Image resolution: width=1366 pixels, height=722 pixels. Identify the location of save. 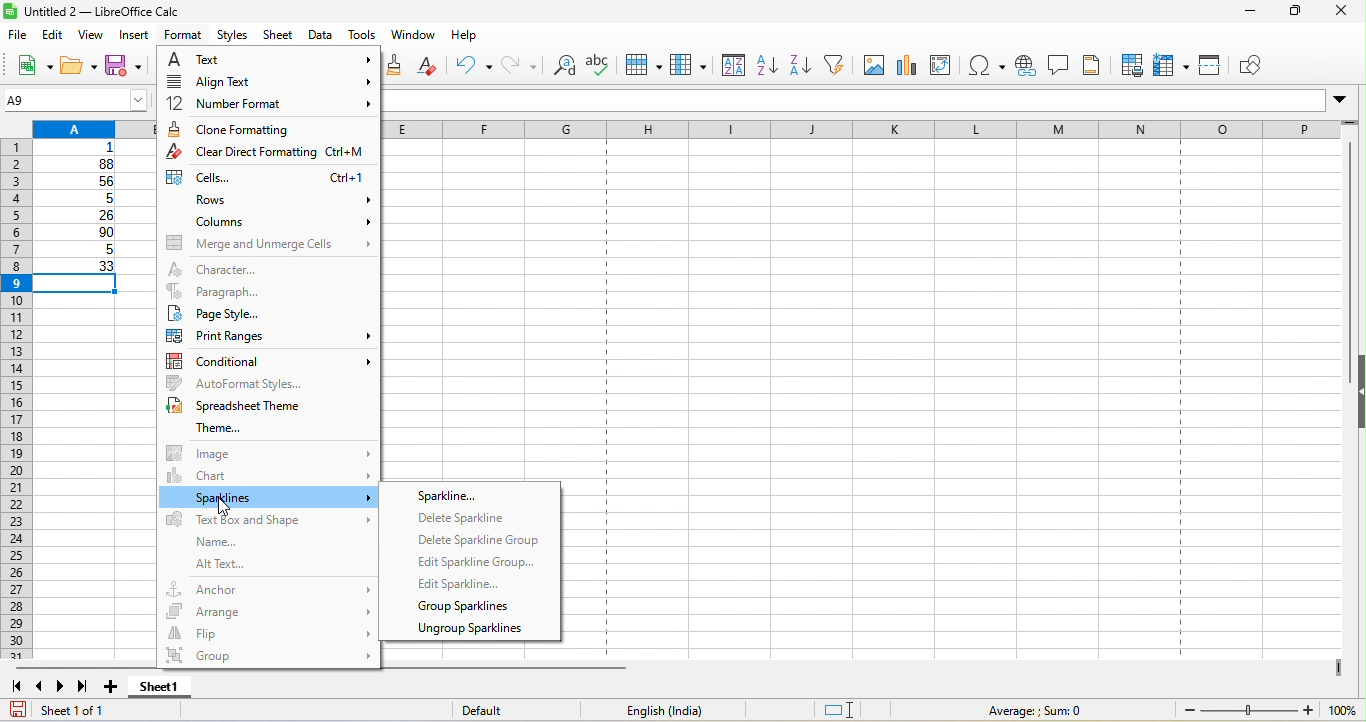
(128, 68).